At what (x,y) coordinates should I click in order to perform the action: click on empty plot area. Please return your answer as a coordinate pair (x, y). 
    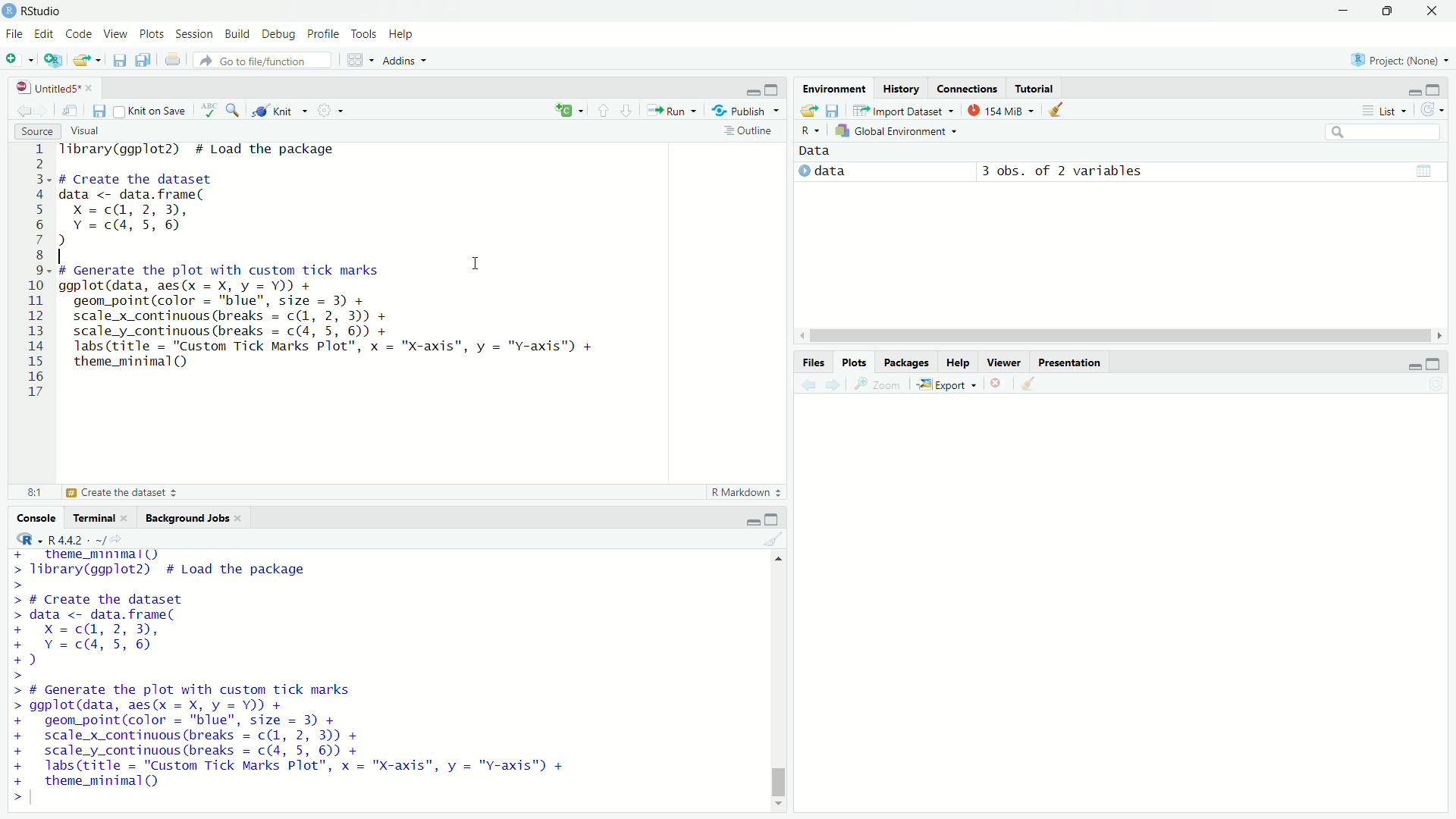
    Looking at the image, I should click on (1134, 613).